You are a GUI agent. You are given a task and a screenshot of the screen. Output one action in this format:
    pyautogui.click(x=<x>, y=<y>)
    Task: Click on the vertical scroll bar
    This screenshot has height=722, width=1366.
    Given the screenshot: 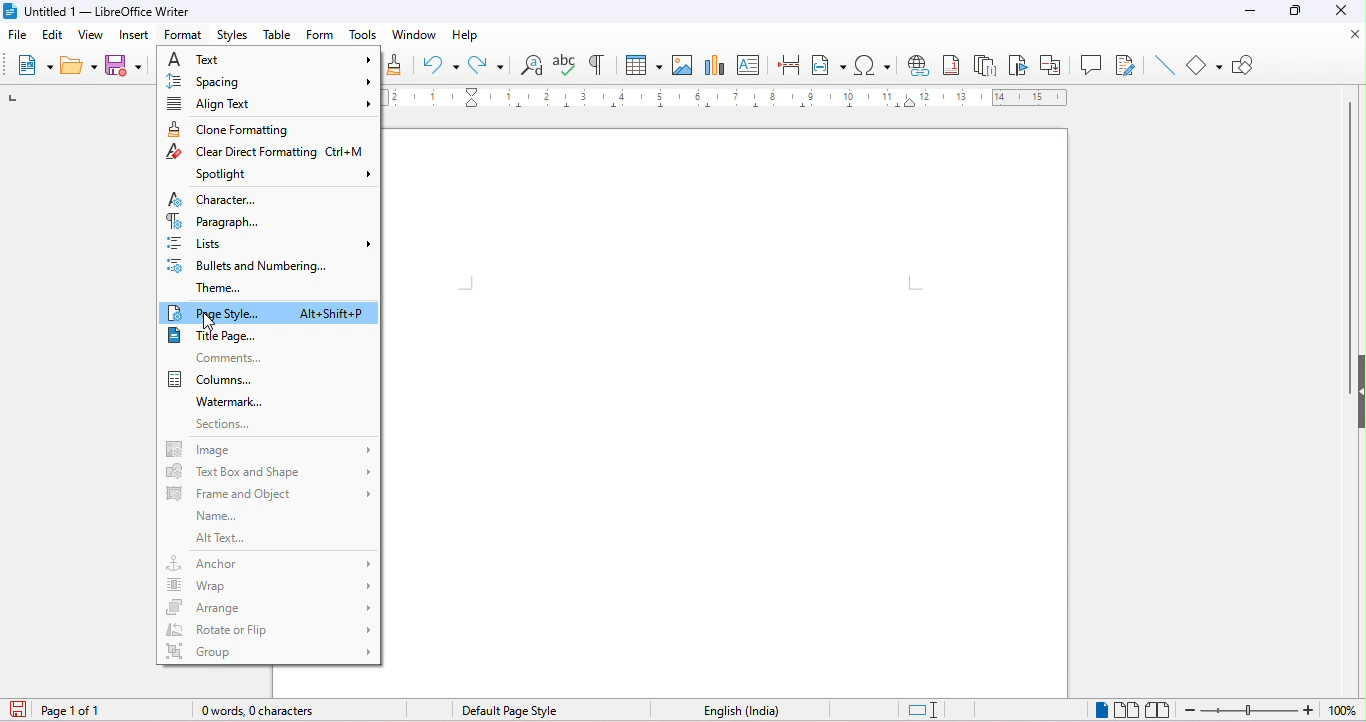 What is the action you would take?
    pyautogui.click(x=1353, y=219)
    